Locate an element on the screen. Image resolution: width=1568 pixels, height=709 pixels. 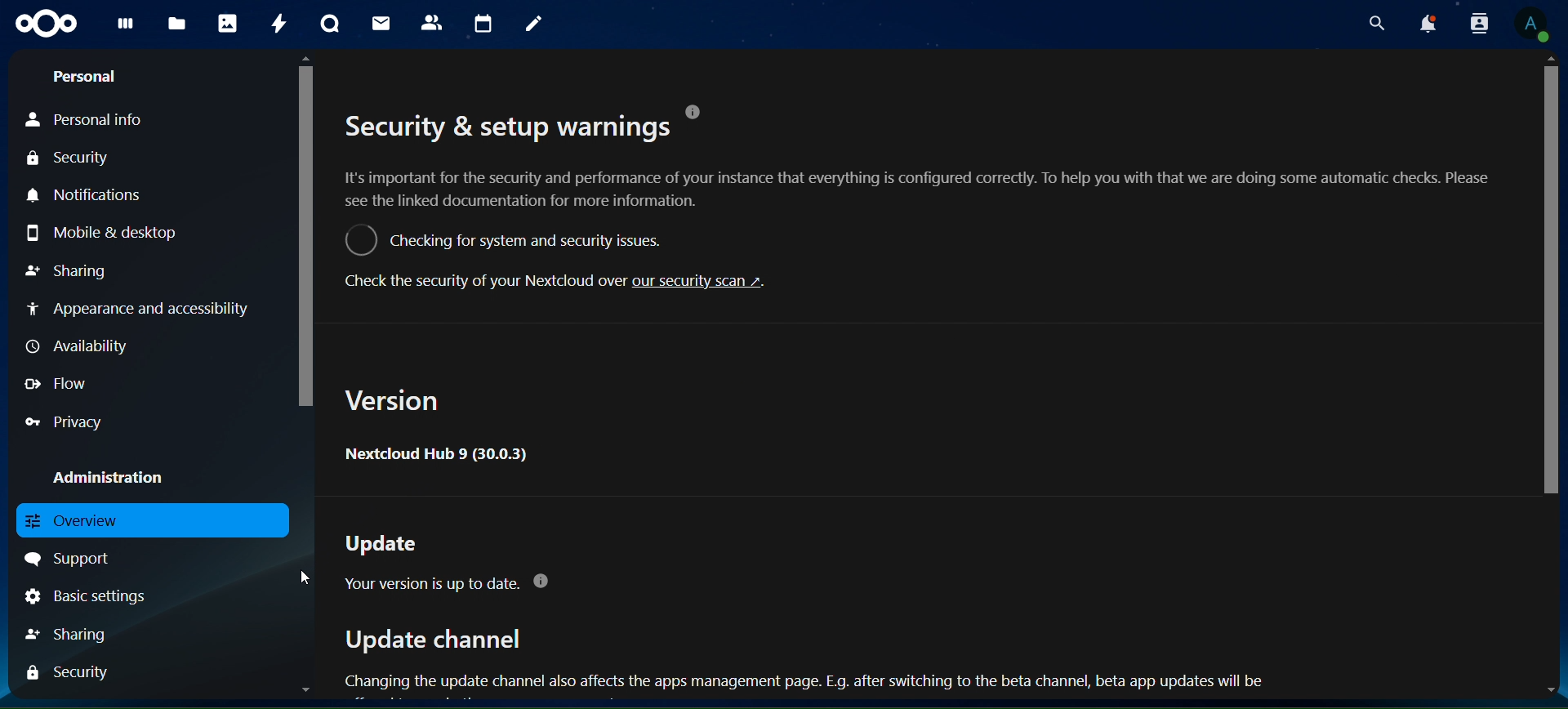
activity is located at coordinates (276, 24).